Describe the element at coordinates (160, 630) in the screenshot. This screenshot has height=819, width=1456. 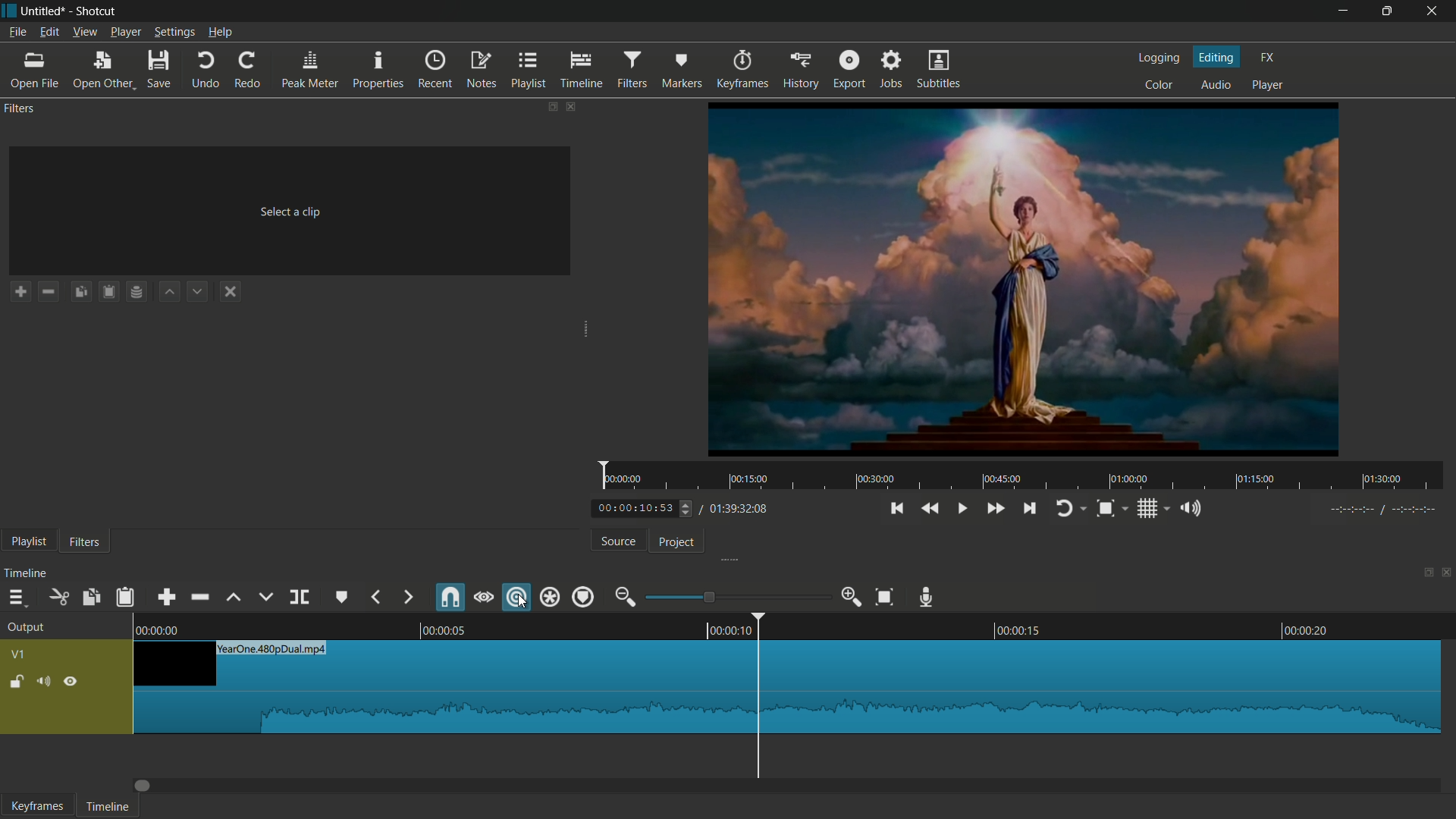
I see `00:00:00` at that location.